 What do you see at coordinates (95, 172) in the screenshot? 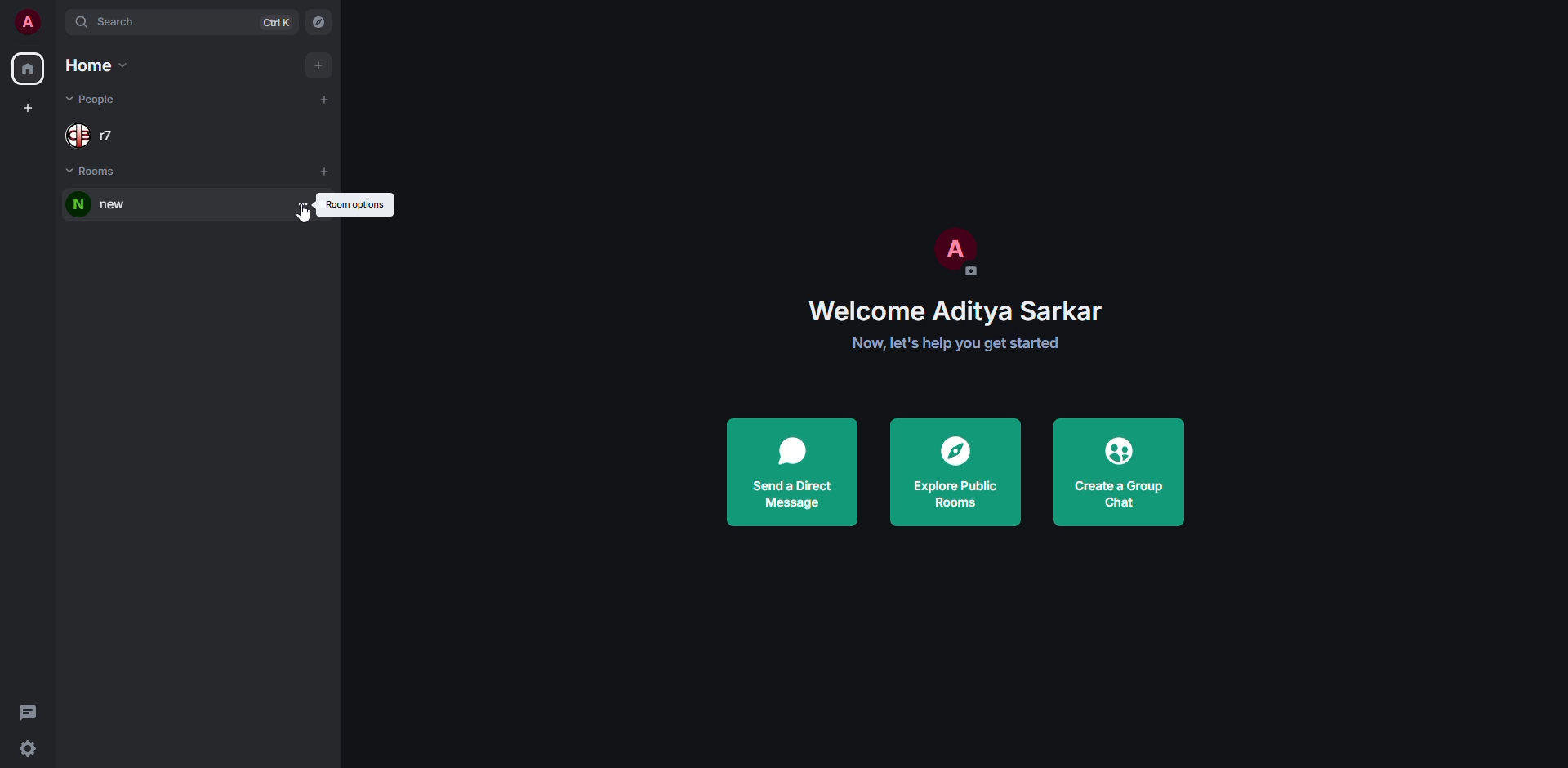
I see `rooms` at bounding box center [95, 172].